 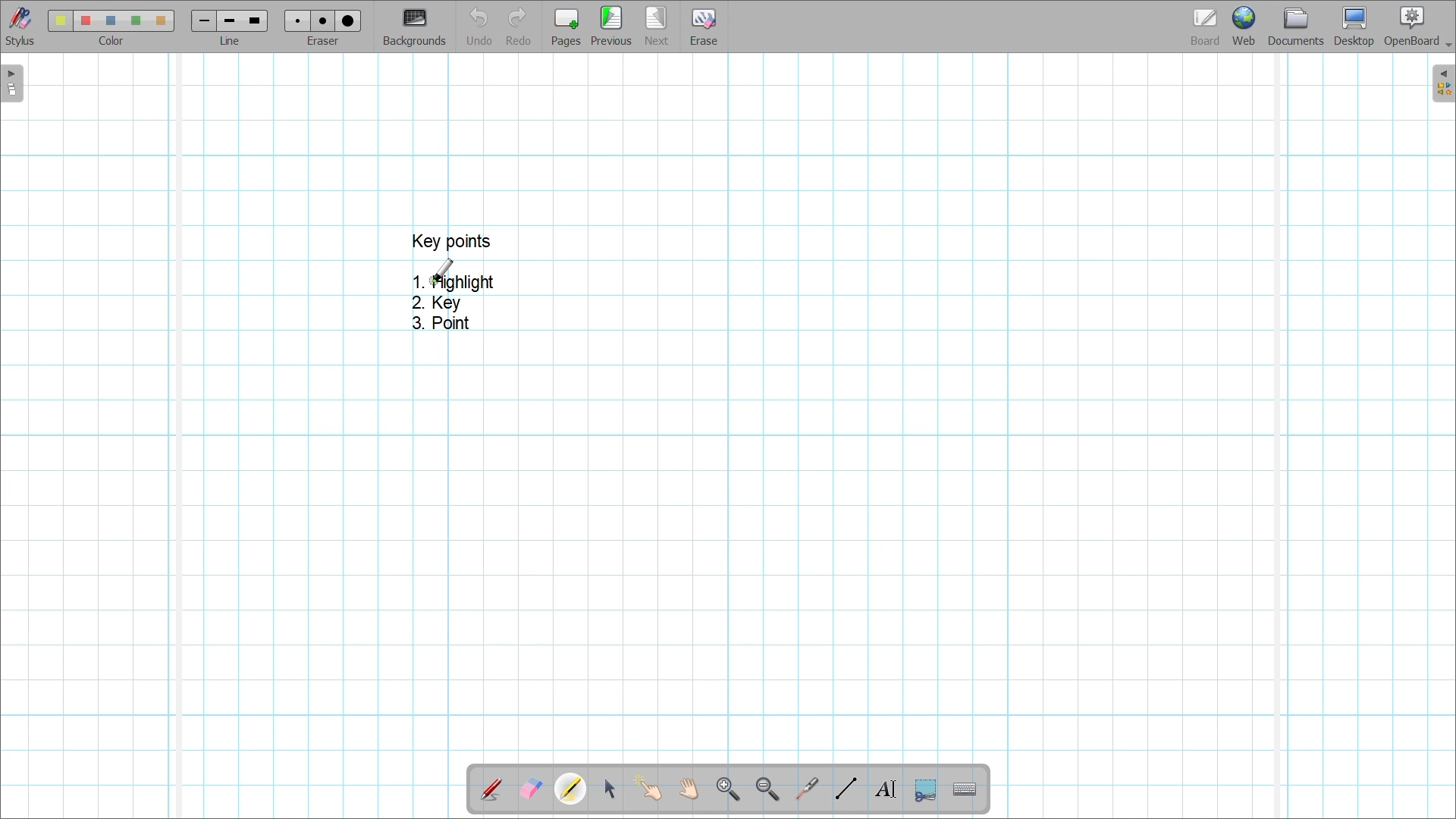 I want to click on Change background, so click(x=414, y=27).